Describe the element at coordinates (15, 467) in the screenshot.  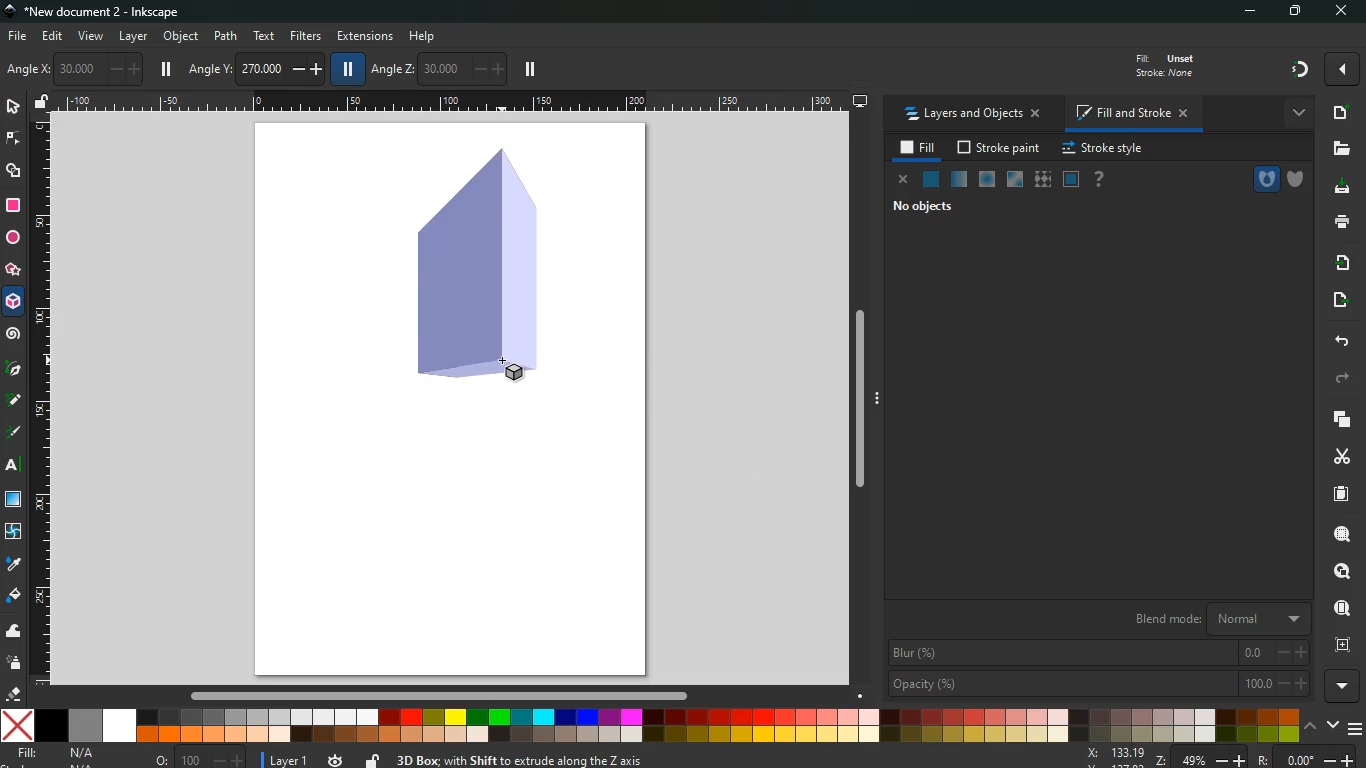
I see `text` at that location.